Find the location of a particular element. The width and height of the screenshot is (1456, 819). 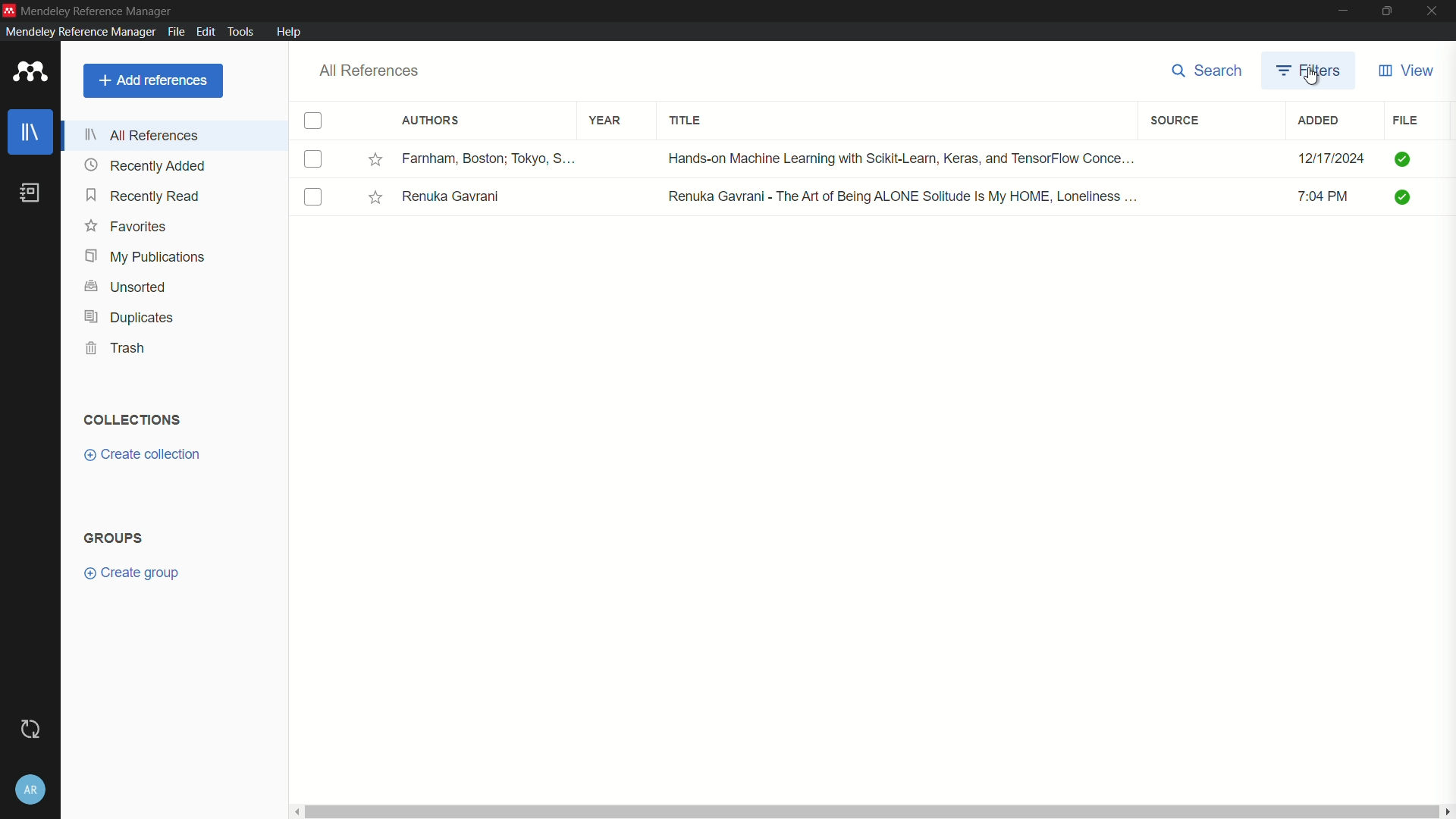

check box is located at coordinates (313, 196).